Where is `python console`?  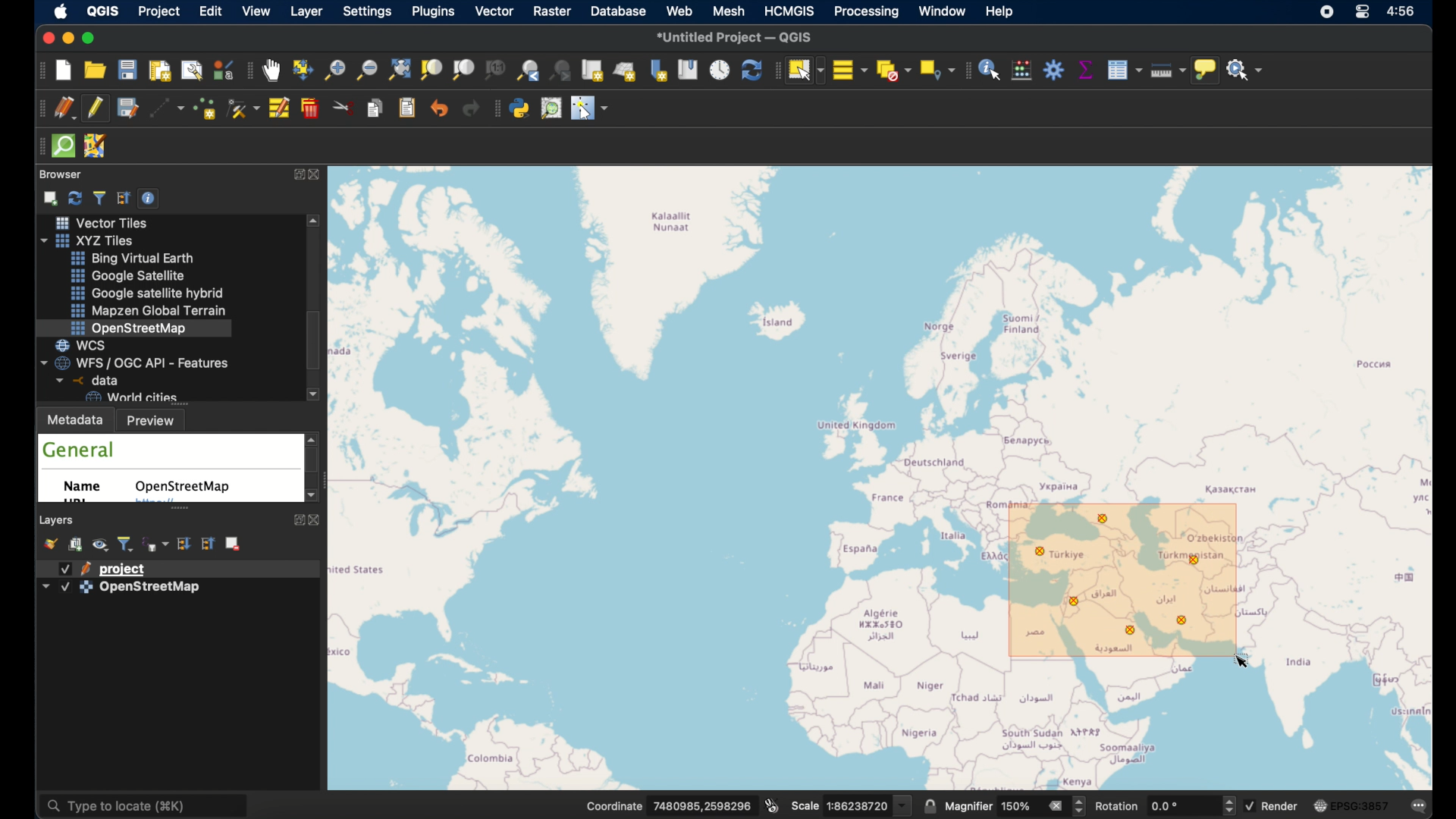 python console is located at coordinates (521, 108).